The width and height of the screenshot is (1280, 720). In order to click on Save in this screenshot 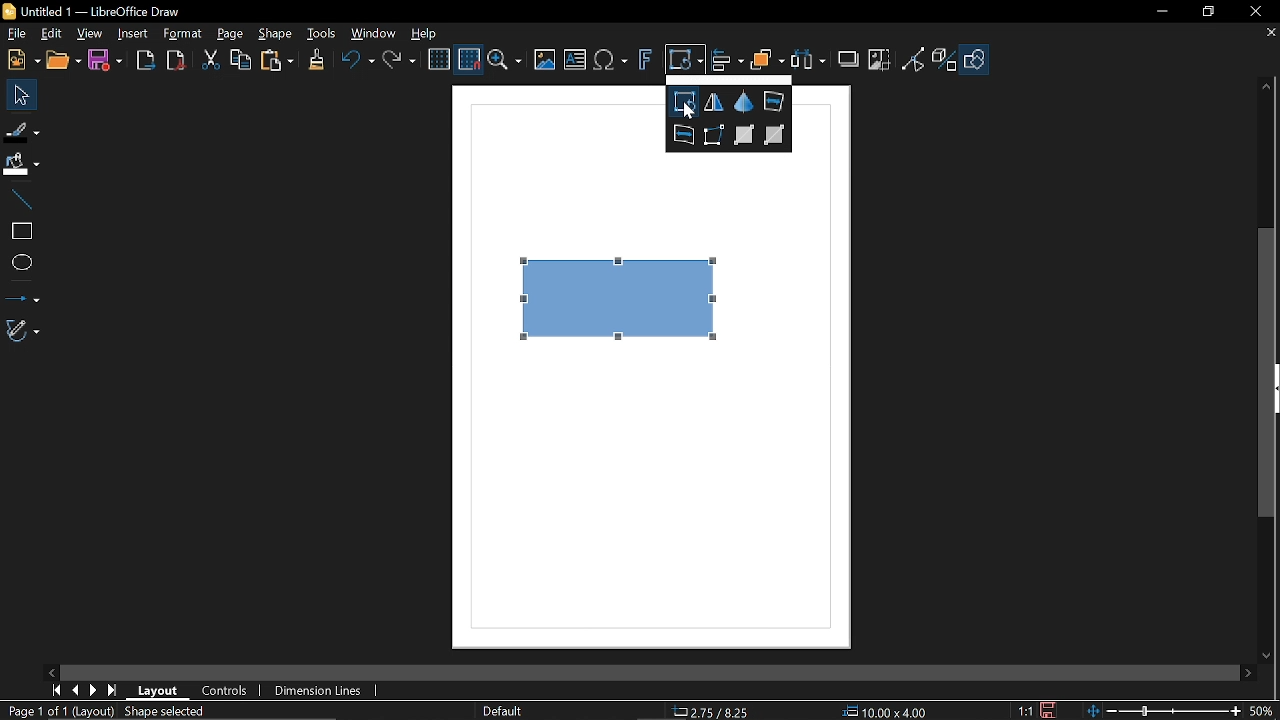, I will do `click(104, 62)`.